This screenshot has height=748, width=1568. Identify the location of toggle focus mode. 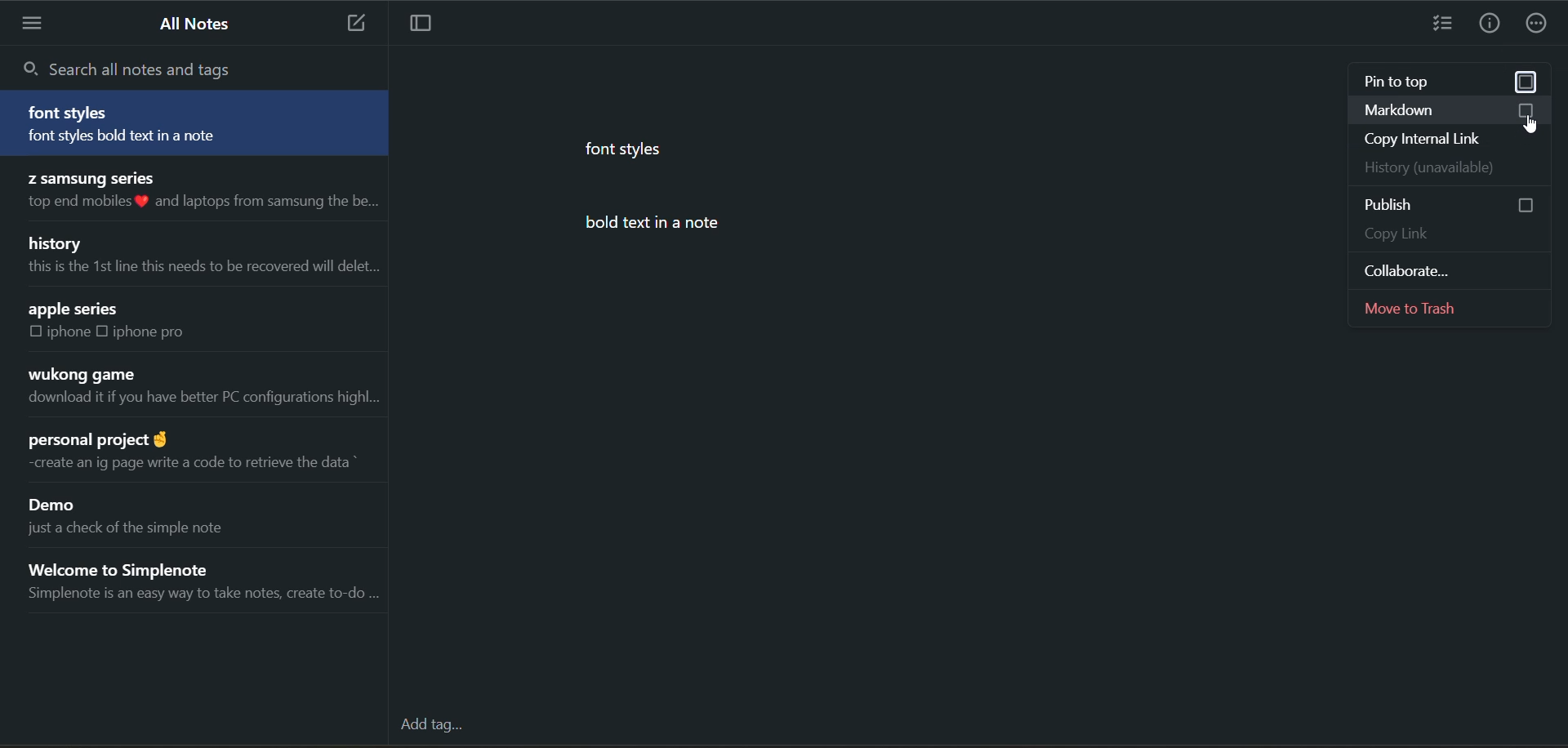
(429, 24).